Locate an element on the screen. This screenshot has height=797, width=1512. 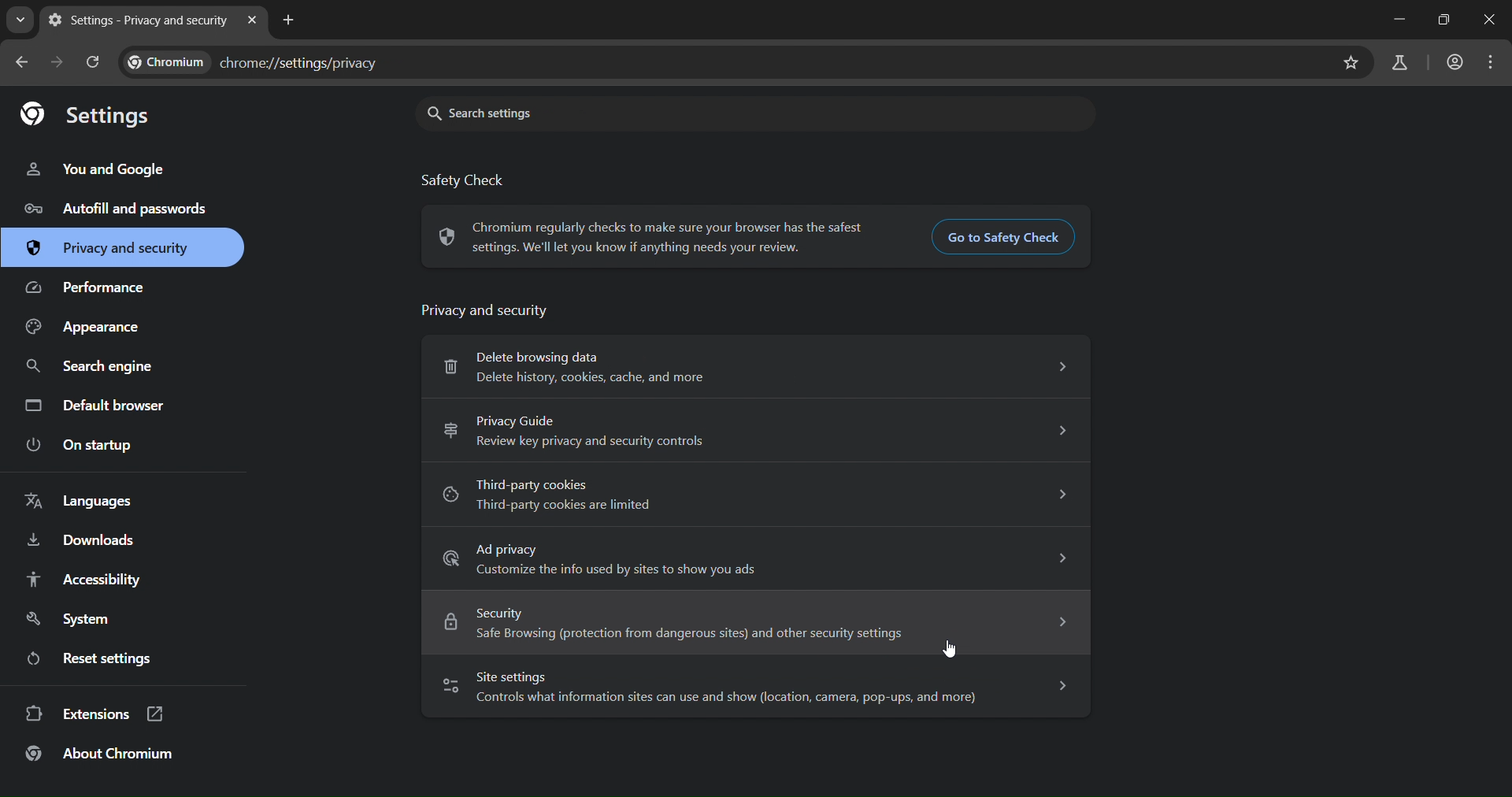
account is located at coordinates (1453, 62).